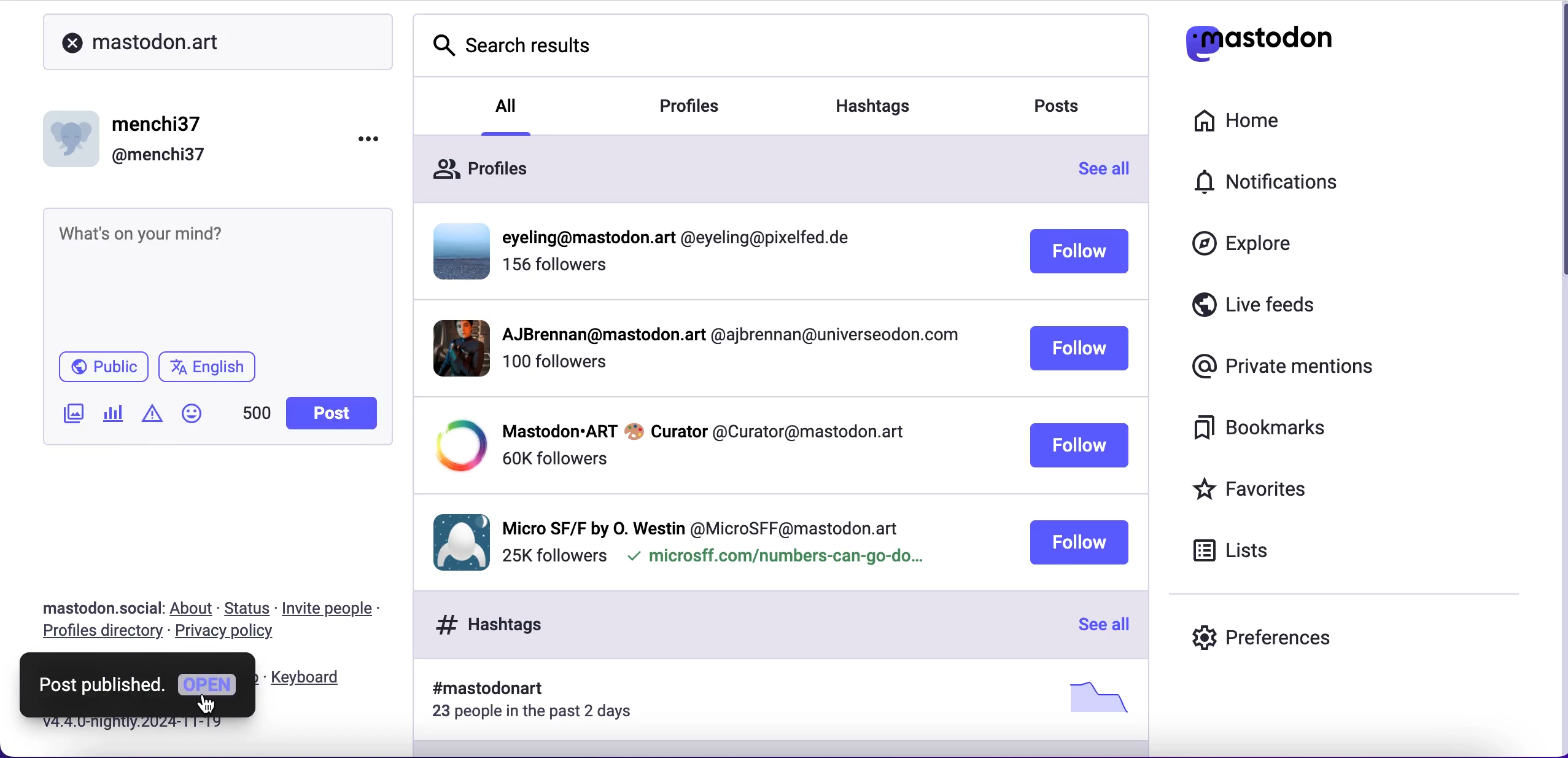 The image size is (1568, 758). What do you see at coordinates (1263, 635) in the screenshot?
I see `preferences` at bounding box center [1263, 635].